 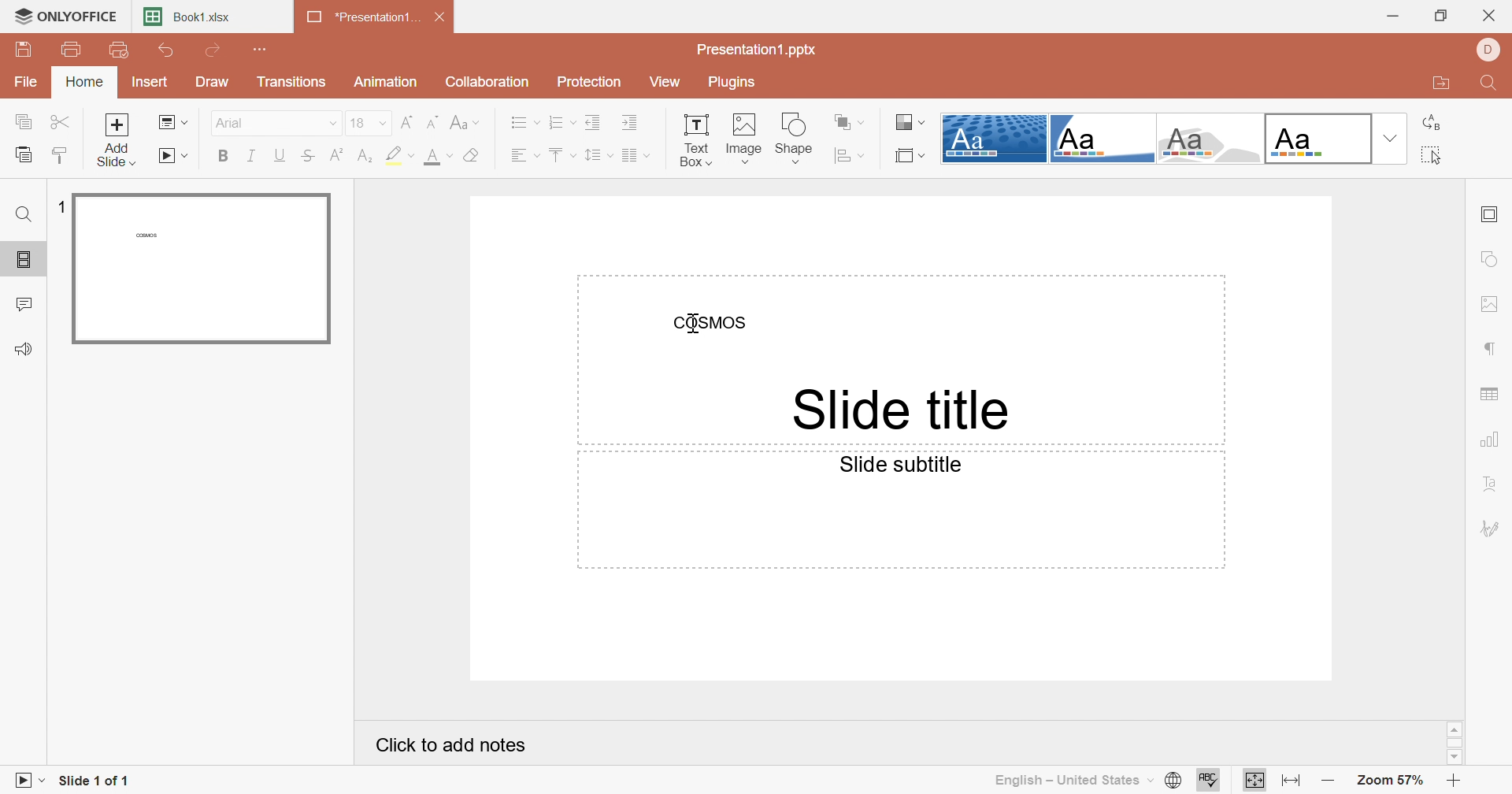 I want to click on Minimize, so click(x=1394, y=17).